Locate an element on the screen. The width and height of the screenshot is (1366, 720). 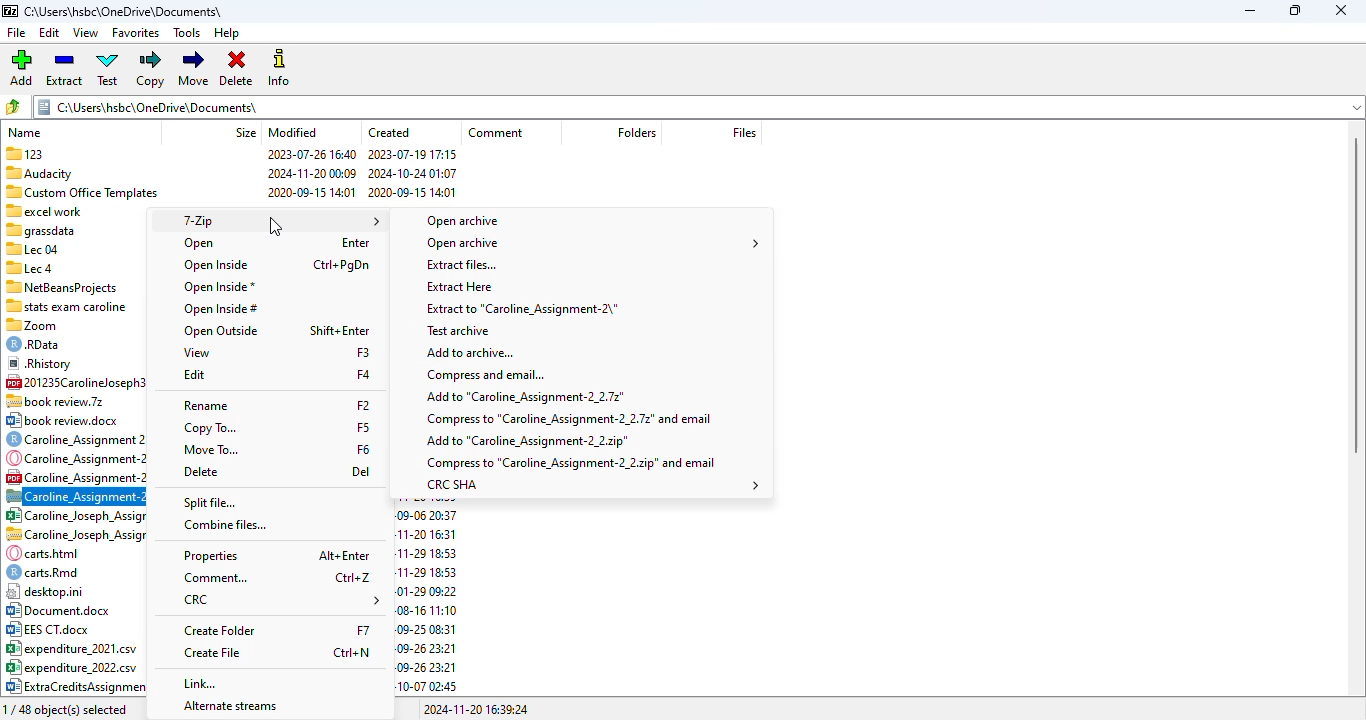
modified is located at coordinates (293, 132).